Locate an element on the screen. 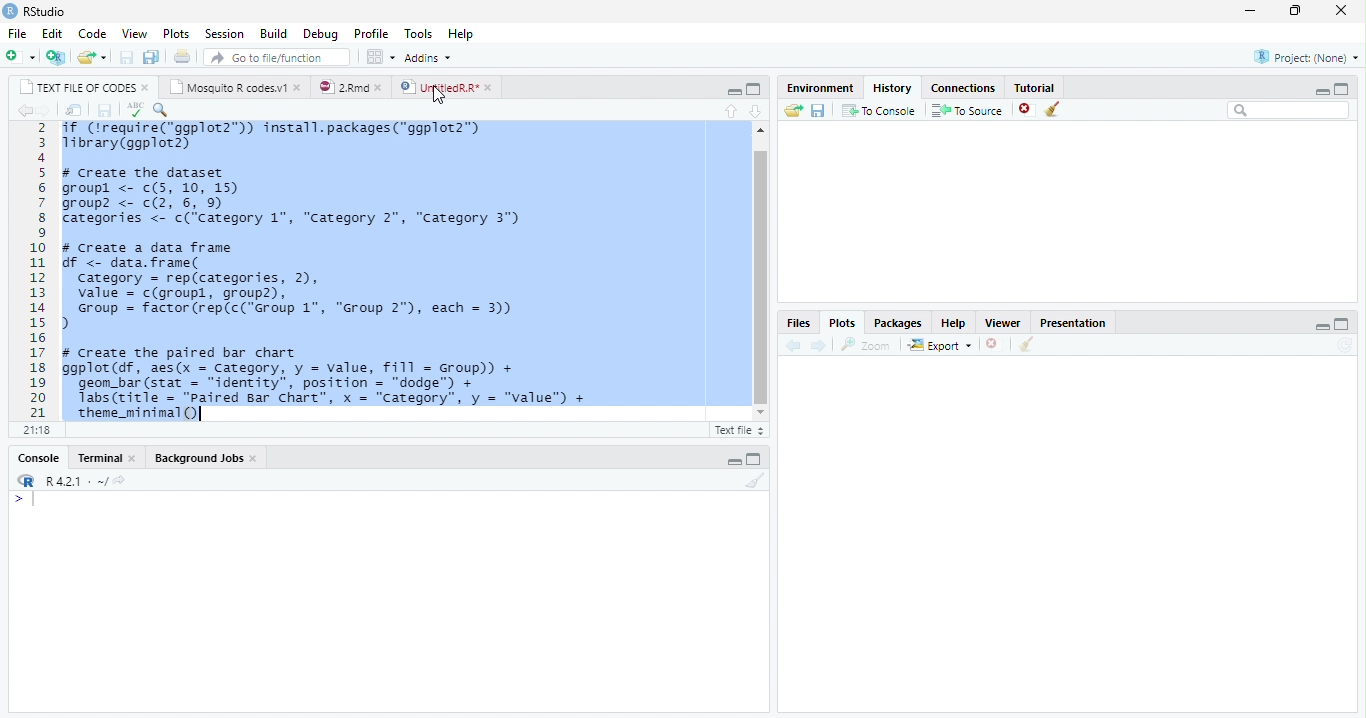 The height and width of the screenshot is (718, 1366). sync is located at coordinates (1347, 347).